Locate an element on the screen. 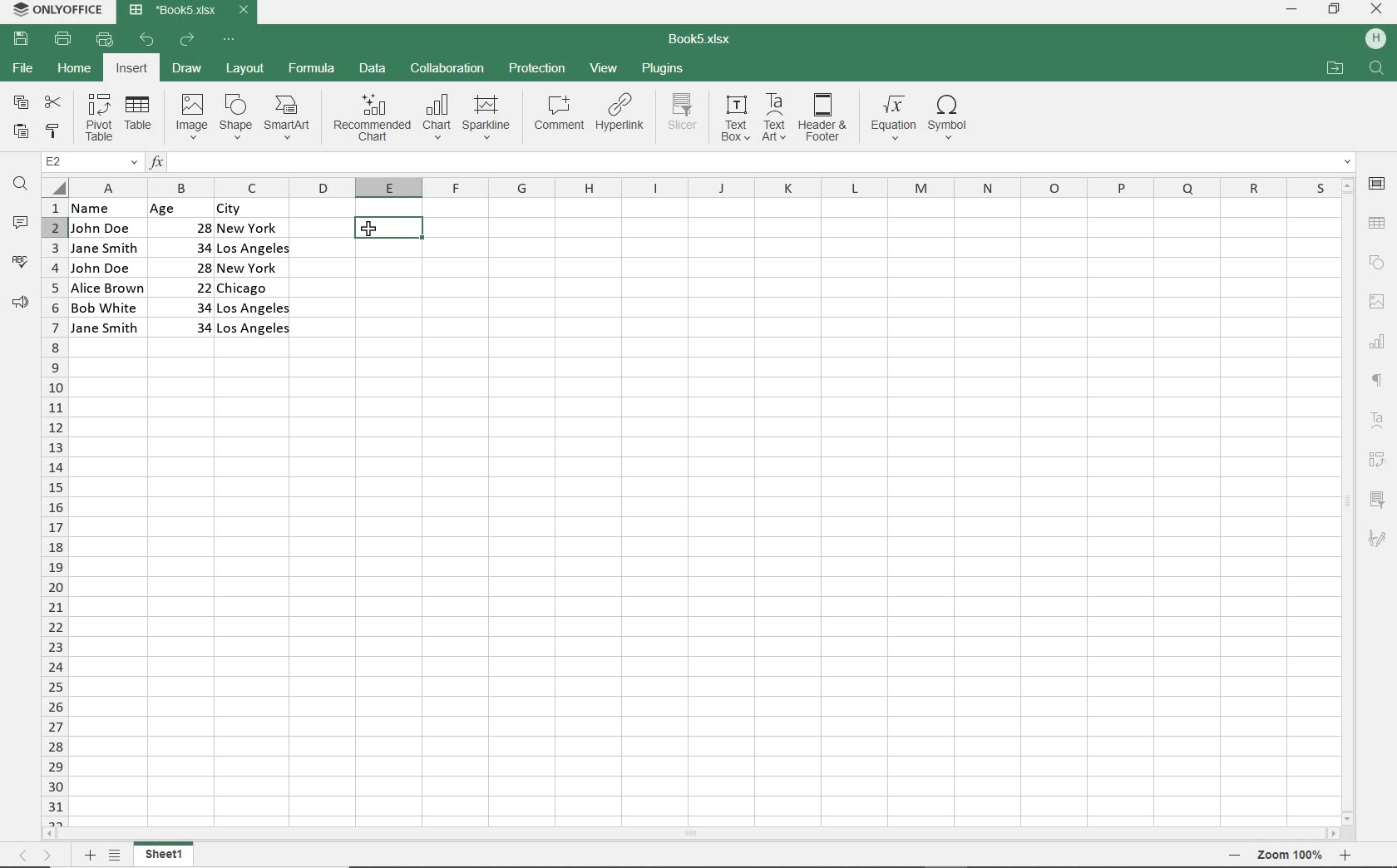 Image resolution: width=1397 pixels, height=868 pixels. DRAW is located at coordinates (186, 69).